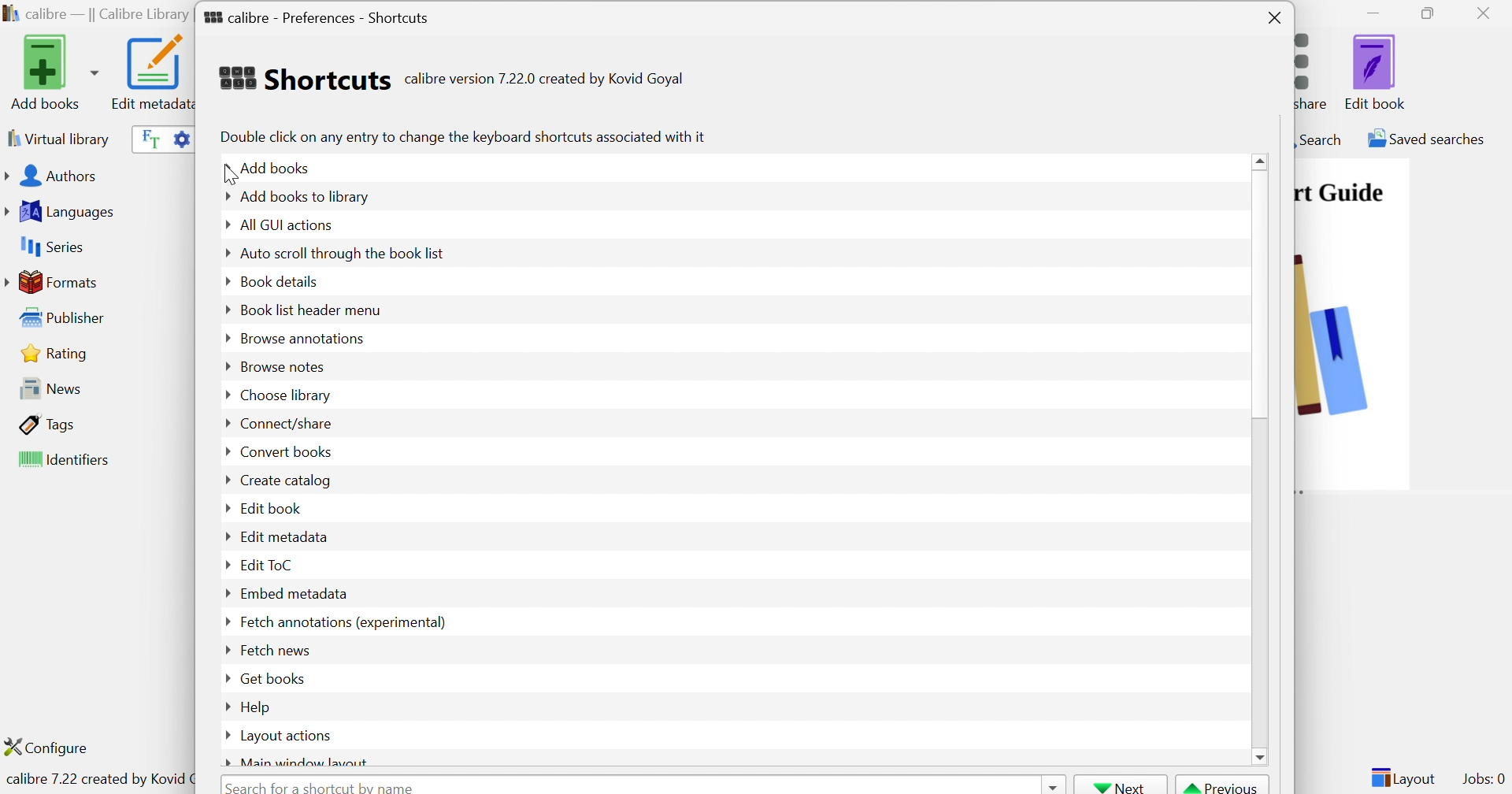  What do you see at coordinates (280, 366) in the screenshot?
I see `Browse notes` at bounding box center [280, 366].